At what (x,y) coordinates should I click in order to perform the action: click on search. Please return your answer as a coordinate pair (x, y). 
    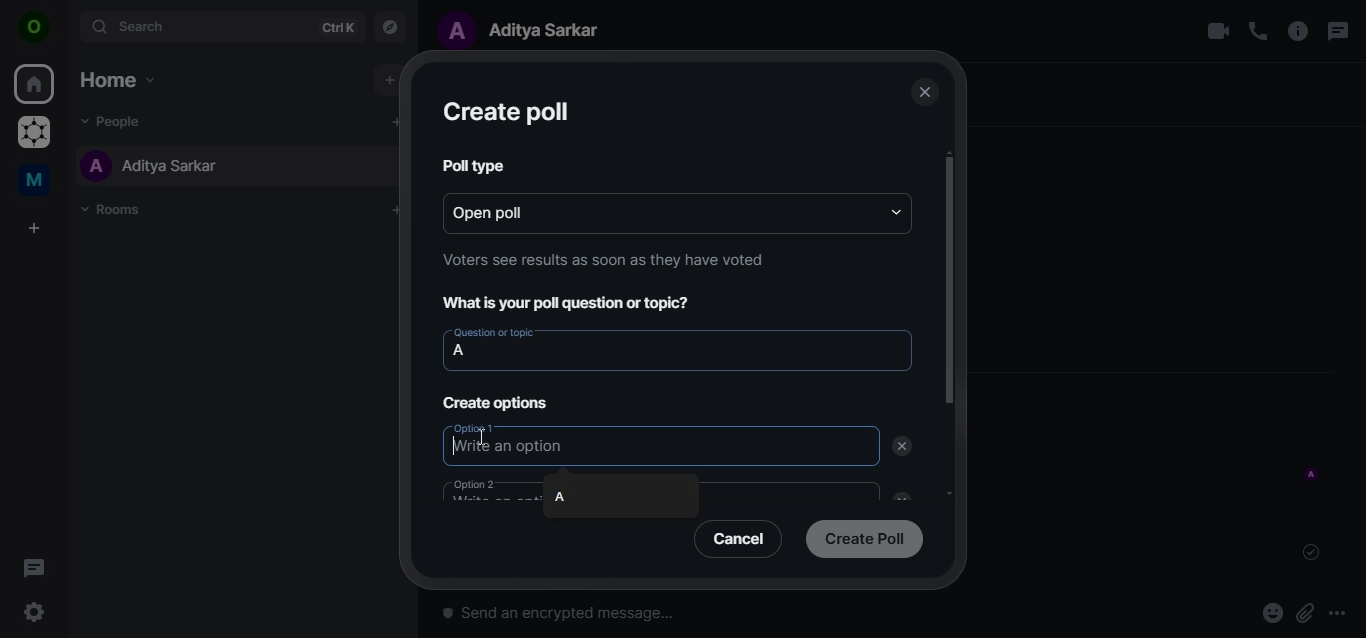
    Looking at the image, I should click on (220, 26).